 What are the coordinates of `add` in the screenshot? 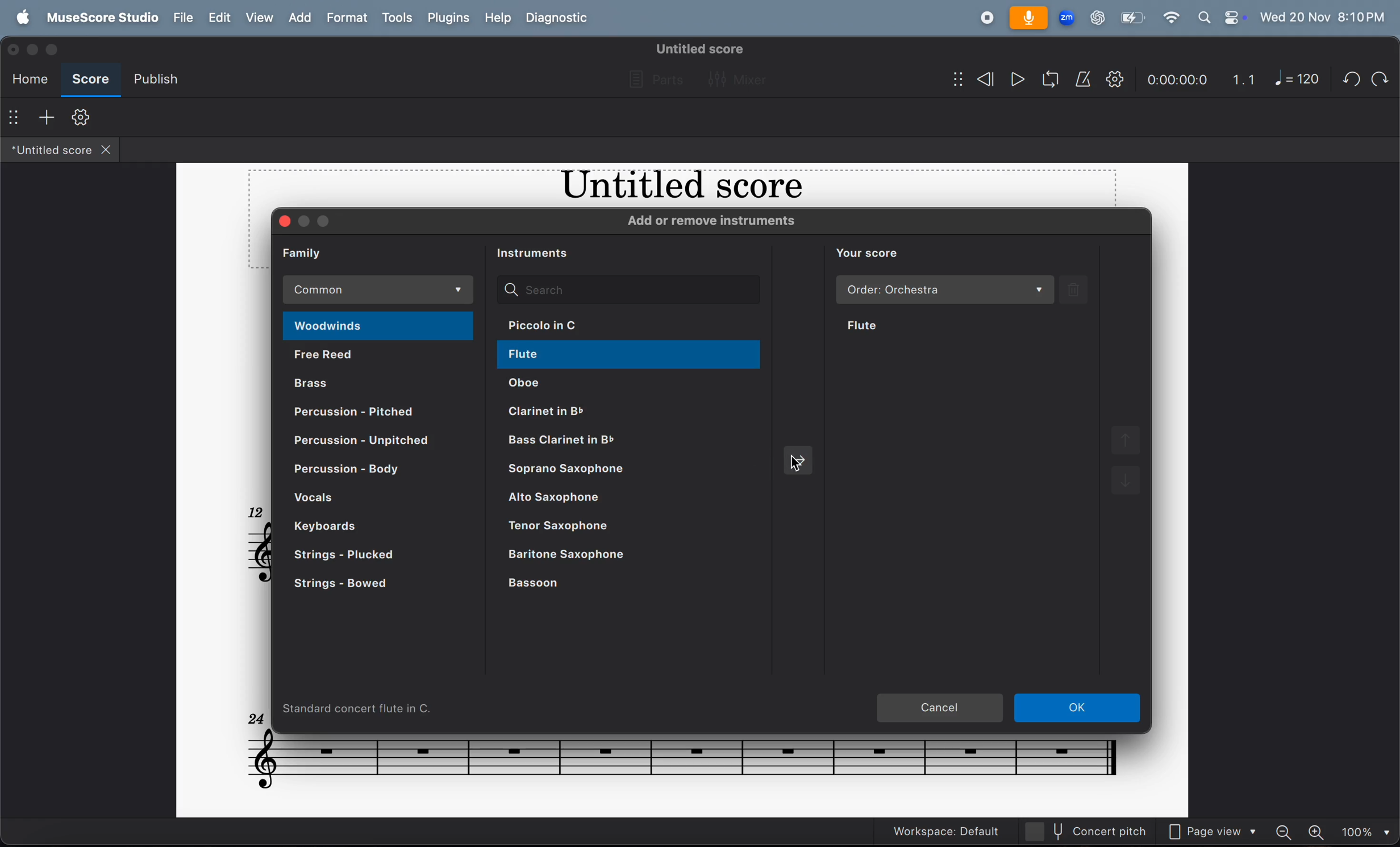 It's located at (299, 18).